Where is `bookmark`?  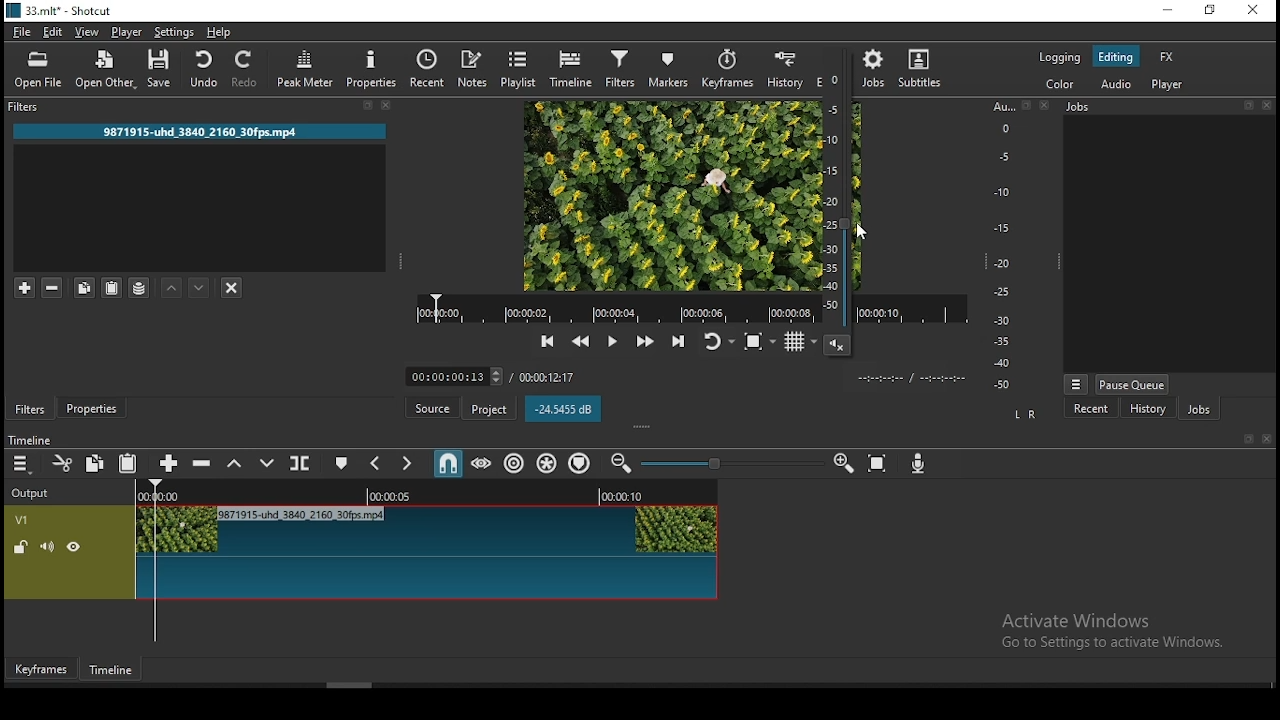 bookmark is located at coordinates (1027, 106).